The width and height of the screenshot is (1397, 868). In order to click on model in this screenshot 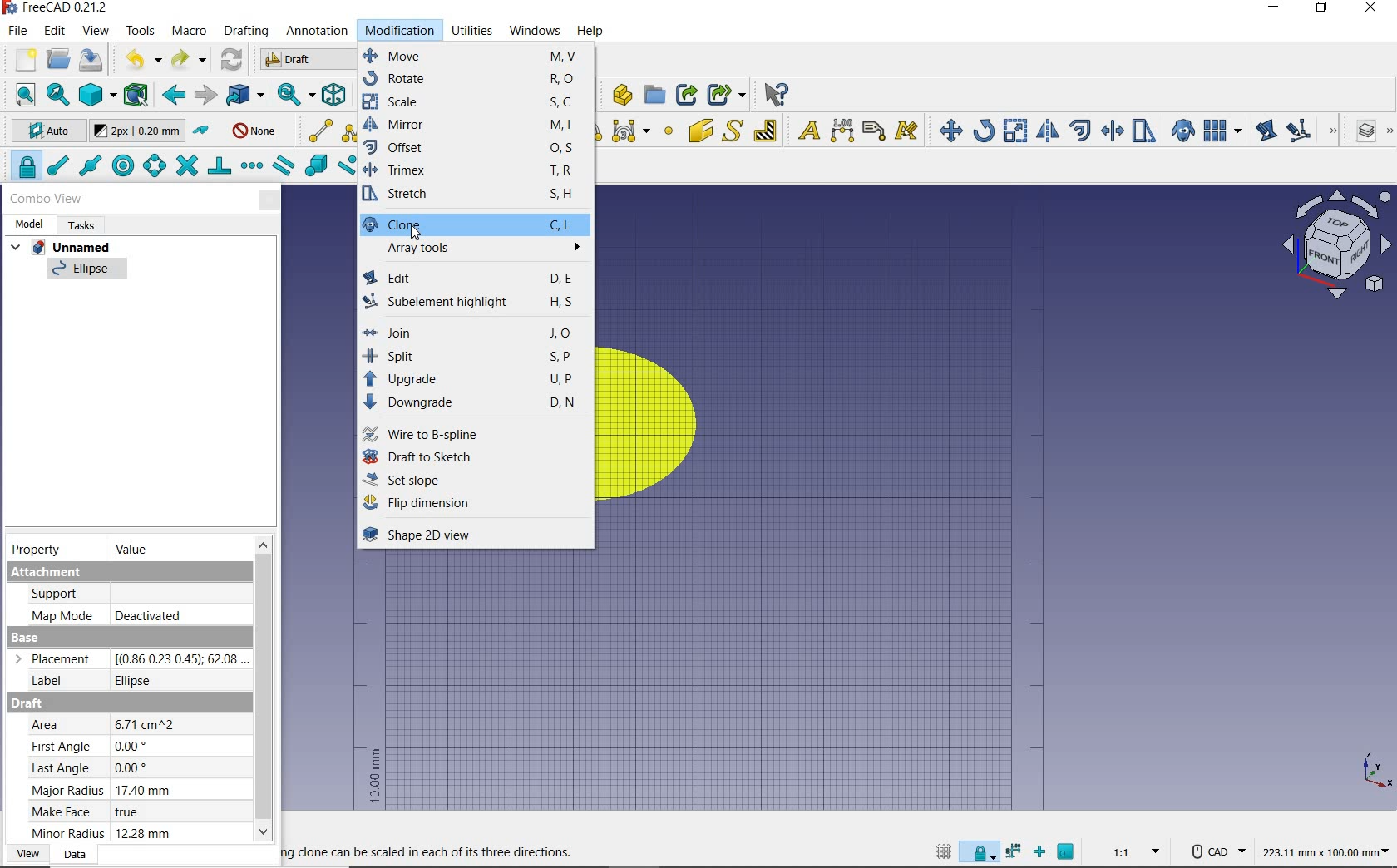, I will do `click(31, 224)`.